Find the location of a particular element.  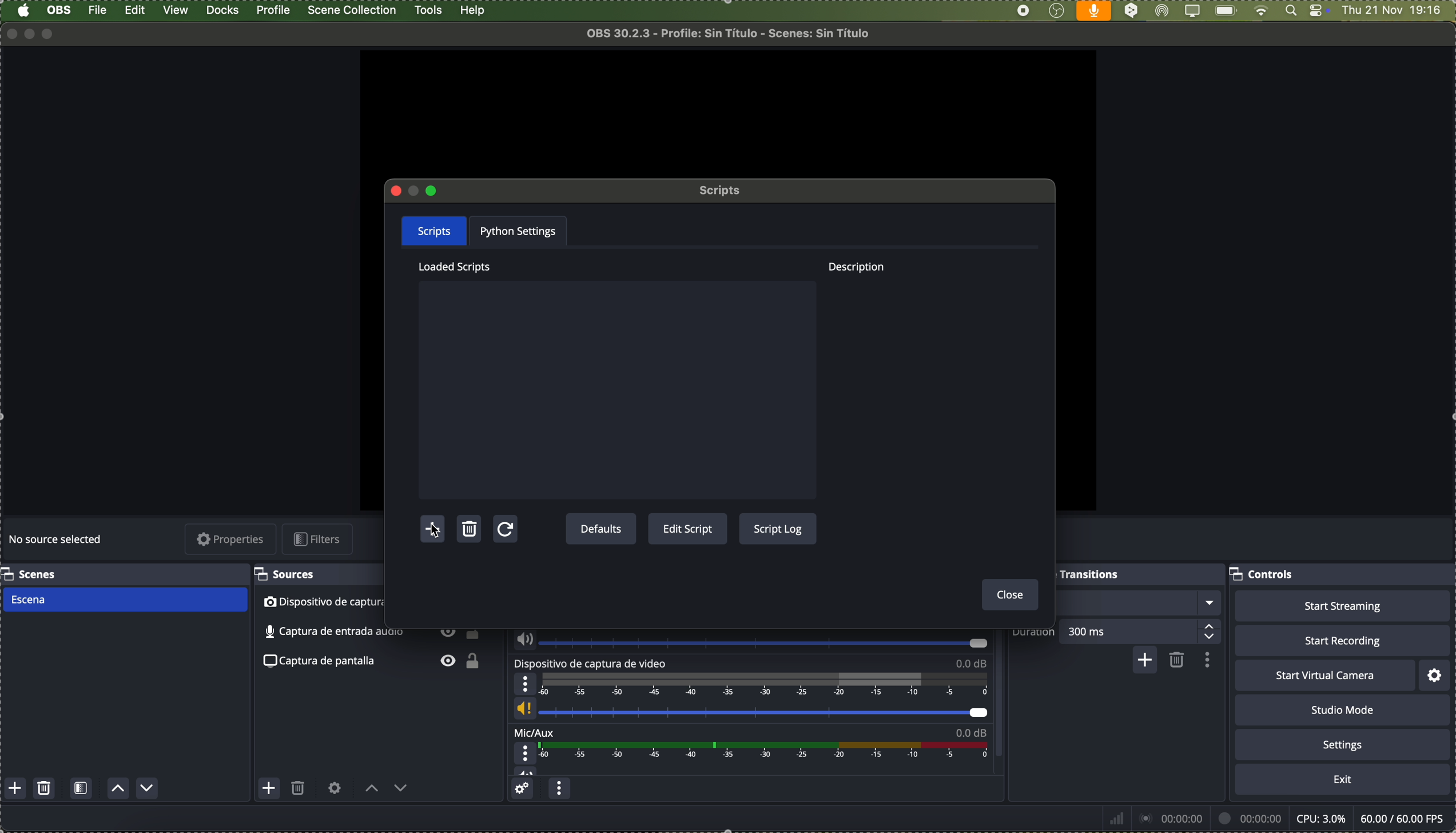

remove is located at coordinates (1177, 661).